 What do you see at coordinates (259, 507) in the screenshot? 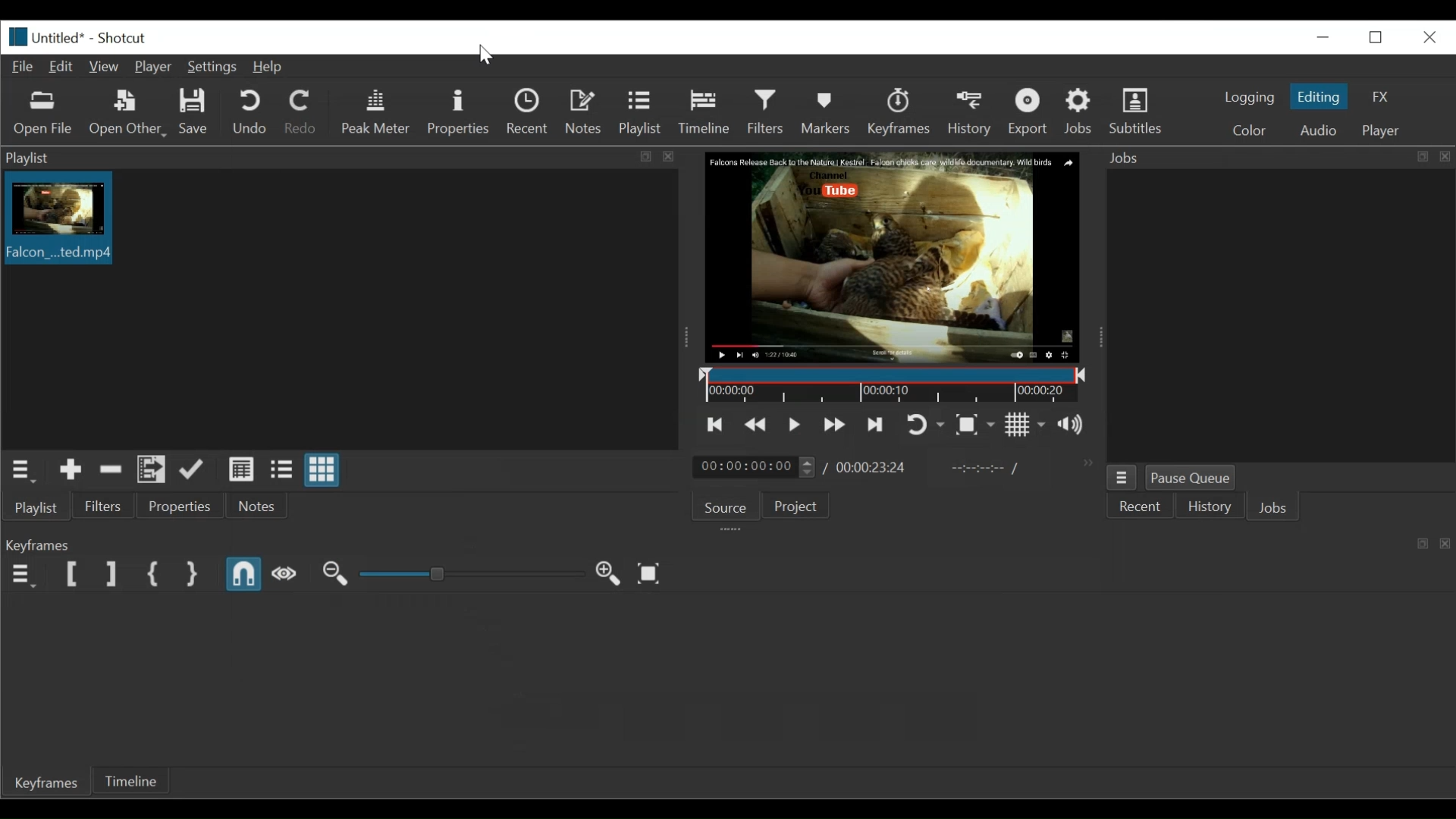
I see `Notes` at bounding box center [259, 507].